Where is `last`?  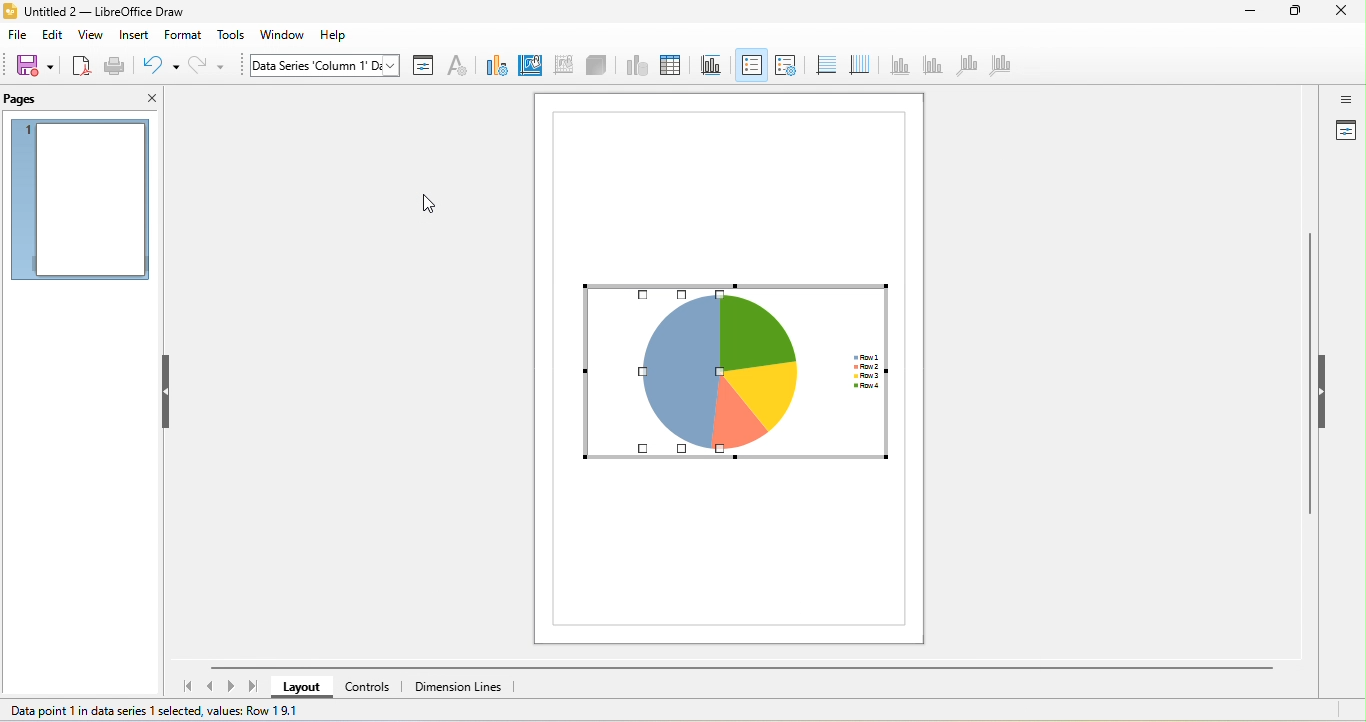
last is located at coordinates (253, 685).